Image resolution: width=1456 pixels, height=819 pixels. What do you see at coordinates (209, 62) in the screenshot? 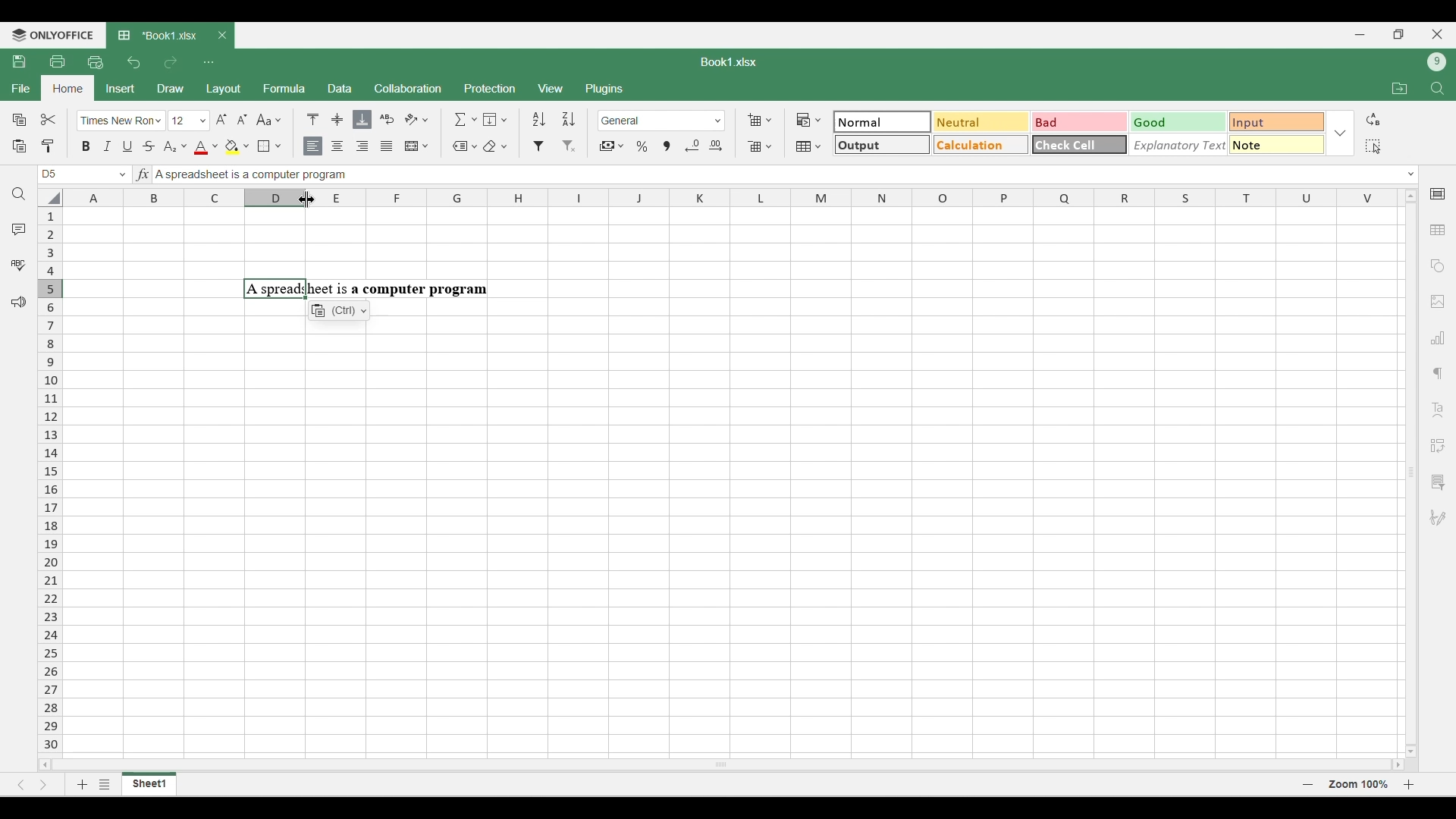
I see `Customize quick access toolbar` at bounding box center [209, 62].